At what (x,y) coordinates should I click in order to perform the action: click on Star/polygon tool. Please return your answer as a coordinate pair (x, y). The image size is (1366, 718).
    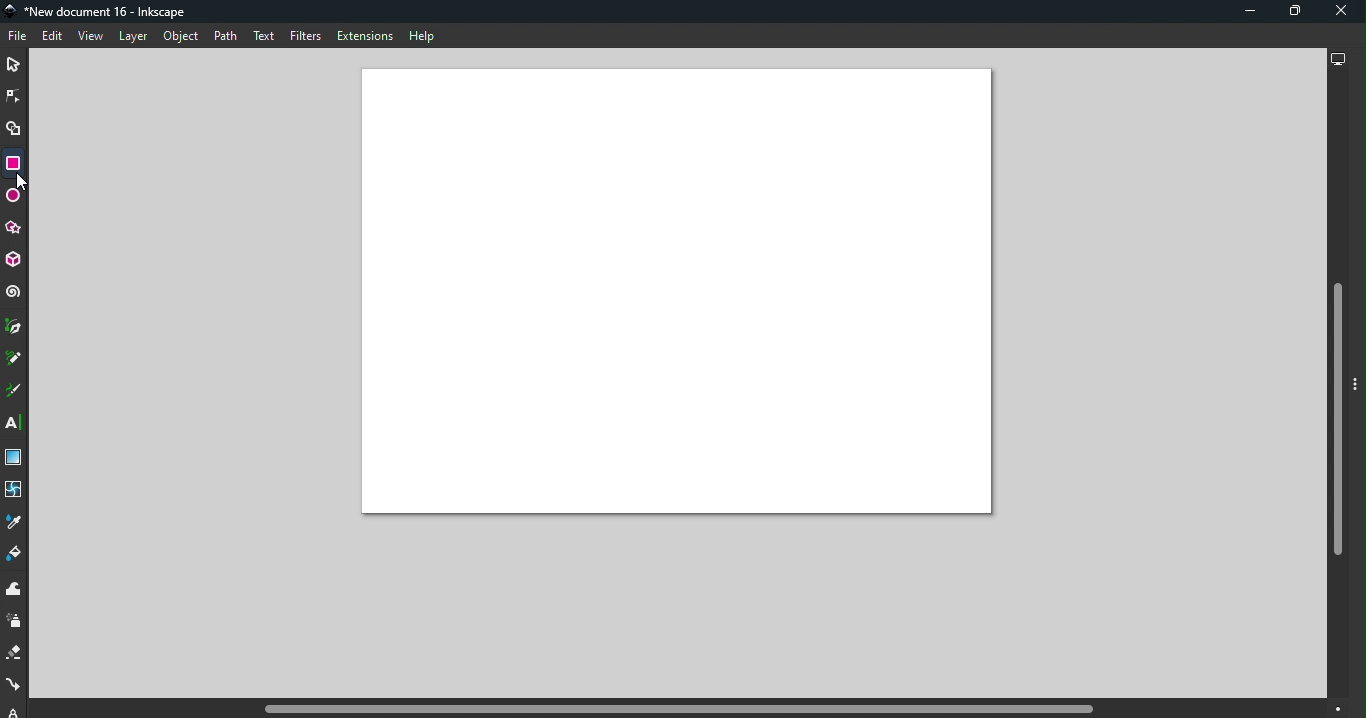
    Looking at the image, I should click on (15, 229).